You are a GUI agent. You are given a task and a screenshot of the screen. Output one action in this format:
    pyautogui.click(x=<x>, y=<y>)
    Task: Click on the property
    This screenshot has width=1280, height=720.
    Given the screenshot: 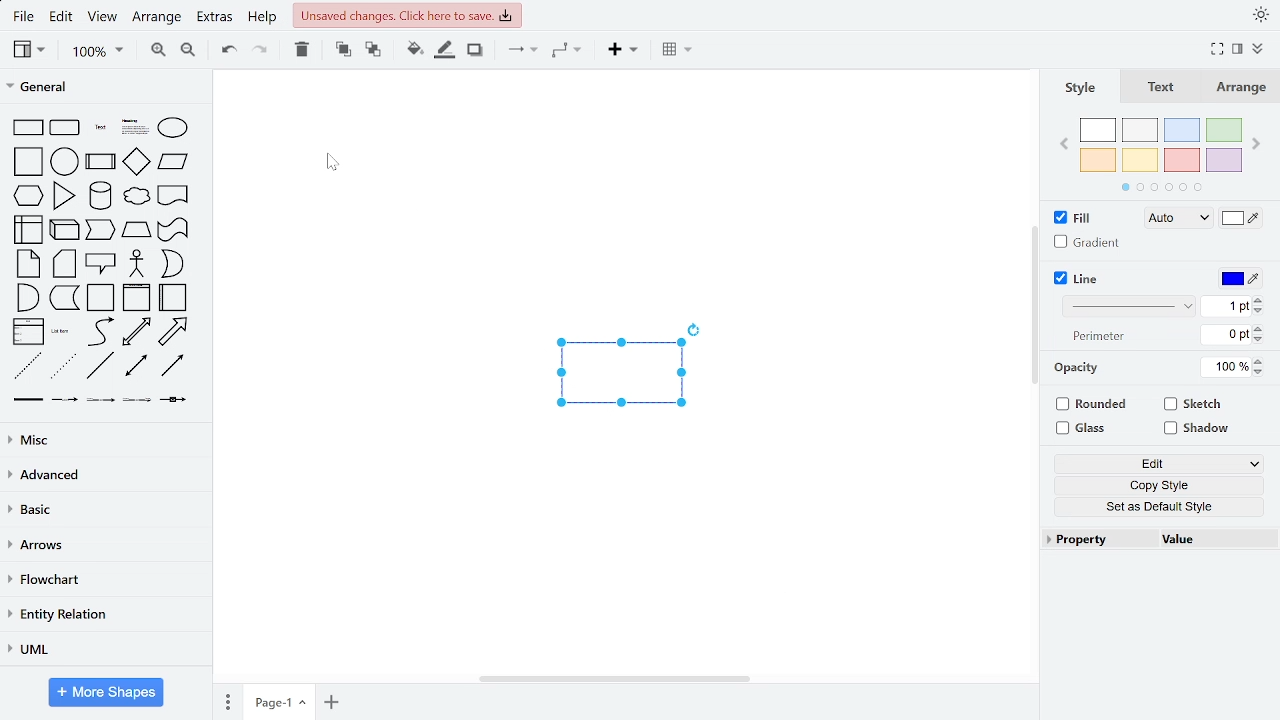 What is the action you would take?
    pyautogui.click(x=1097, y=539)
    